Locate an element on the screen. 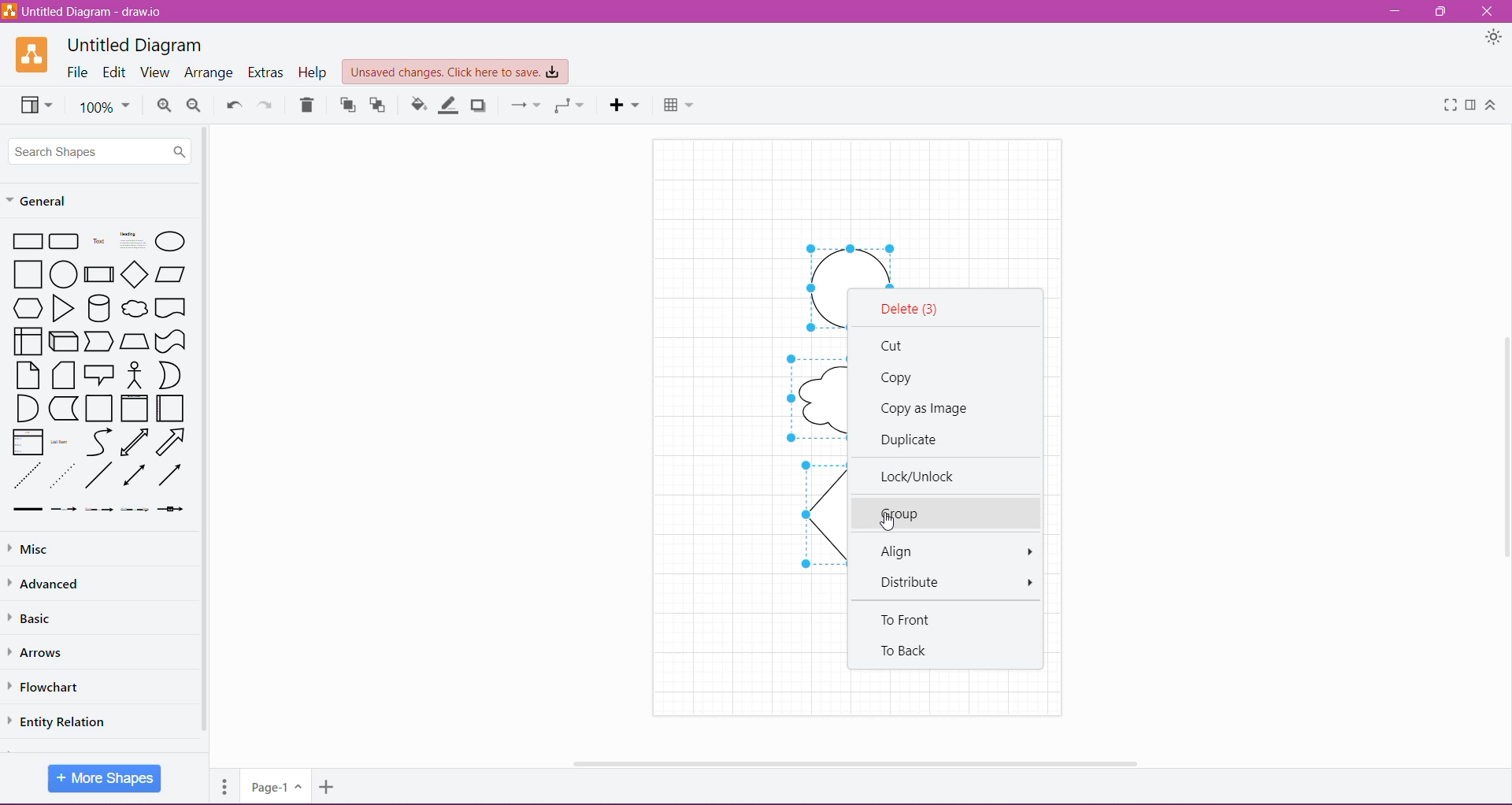 The image size is (1512, 805). Insert Page is located at coordinates (328, 789).